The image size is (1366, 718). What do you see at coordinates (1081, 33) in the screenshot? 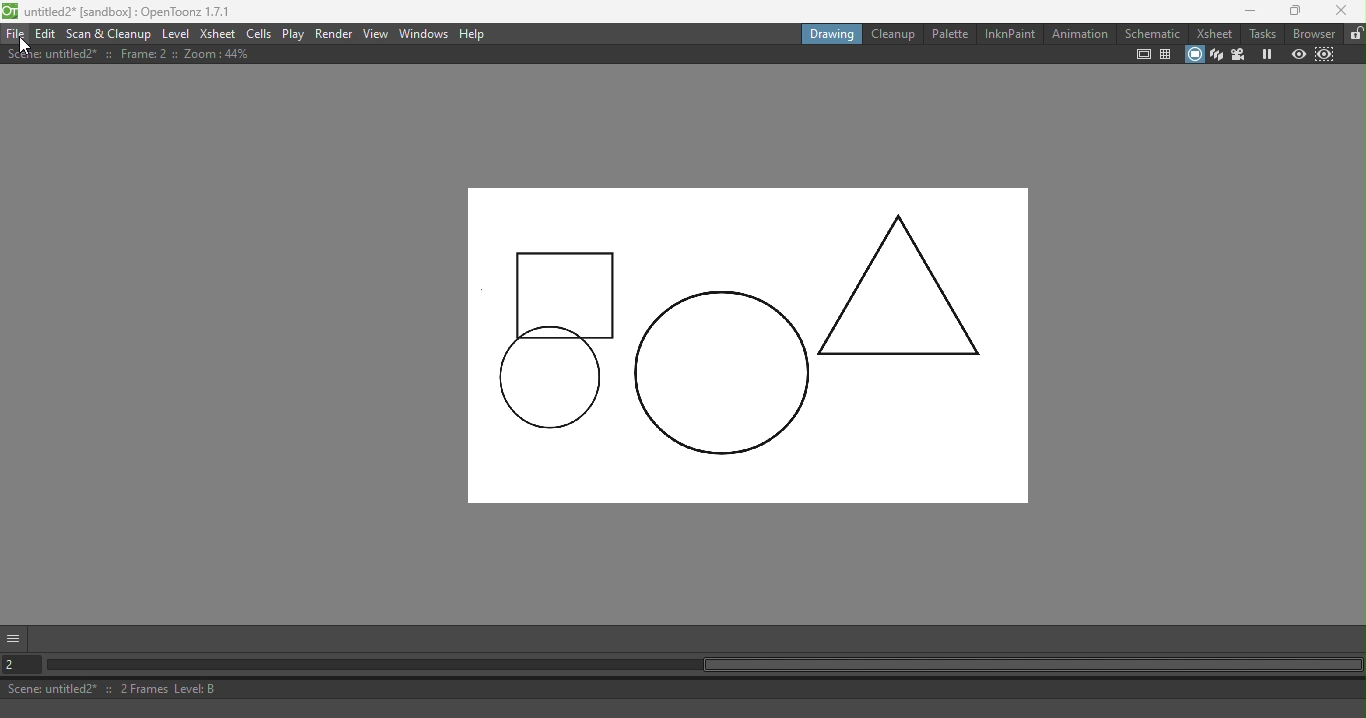
I see `Animation` at bounding box center [1081, 33].